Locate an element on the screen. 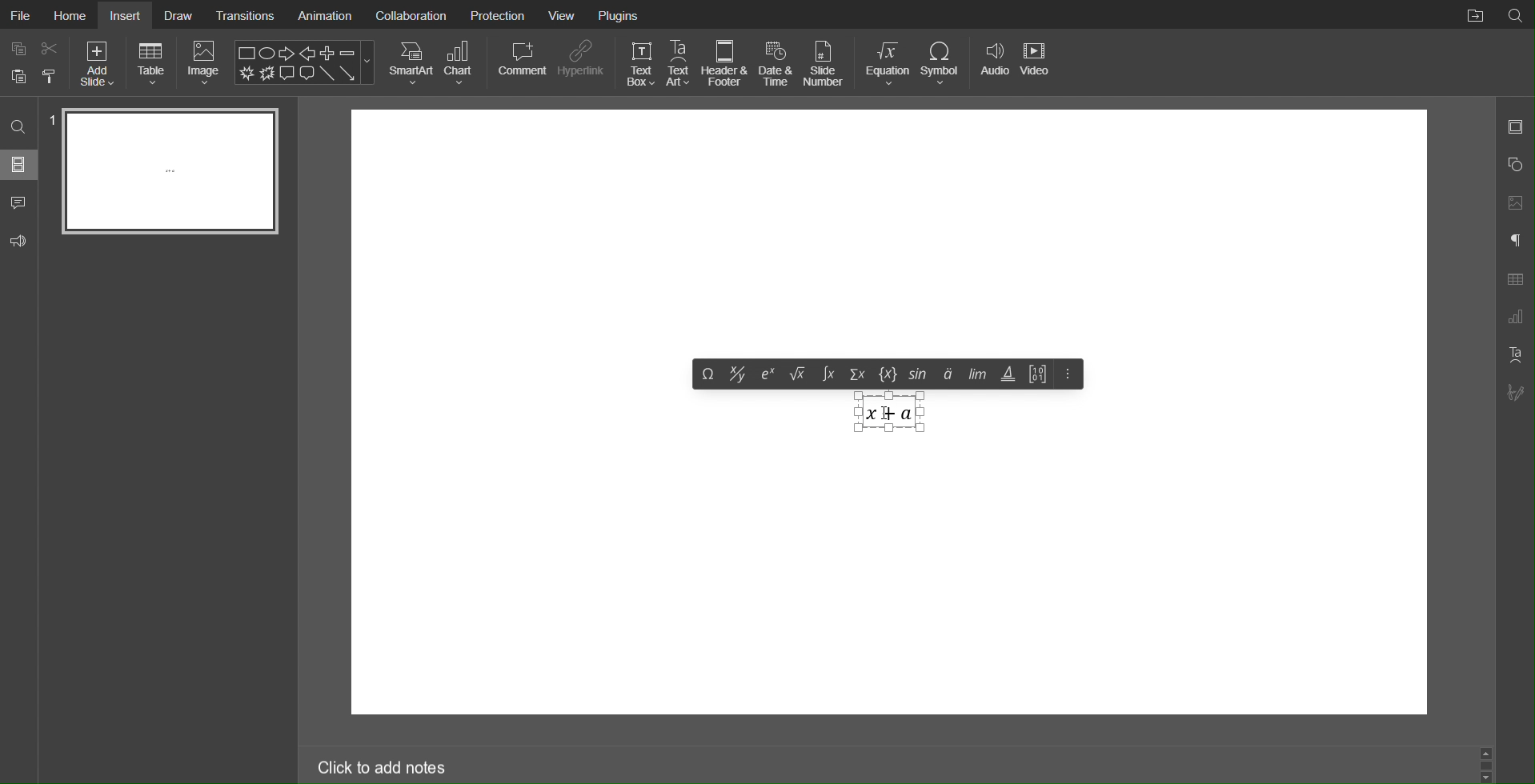  Paragraph Settings is located at coordinates (1513, 241).